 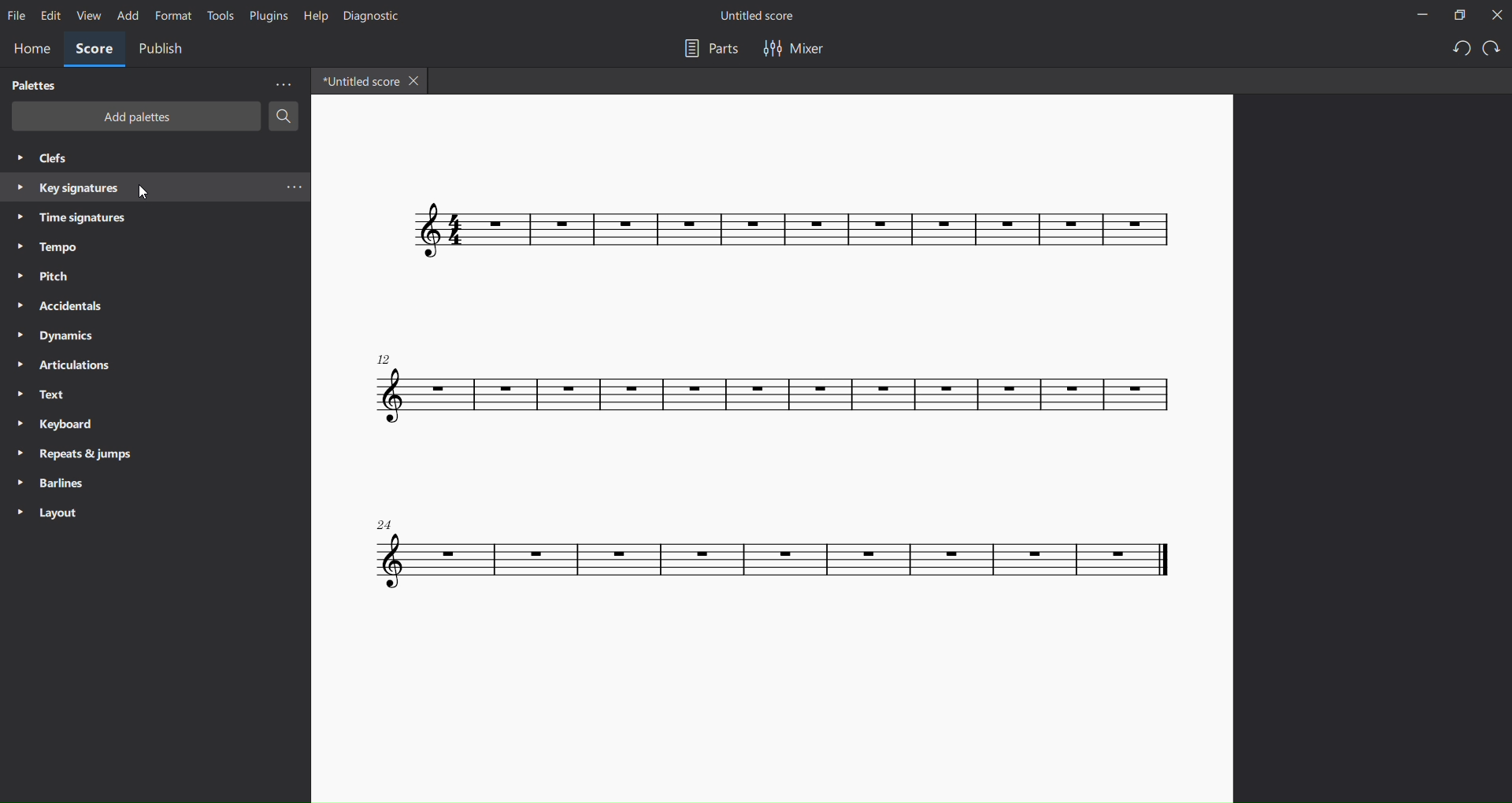 I want to click on redo, so click(x=1491, y=48).